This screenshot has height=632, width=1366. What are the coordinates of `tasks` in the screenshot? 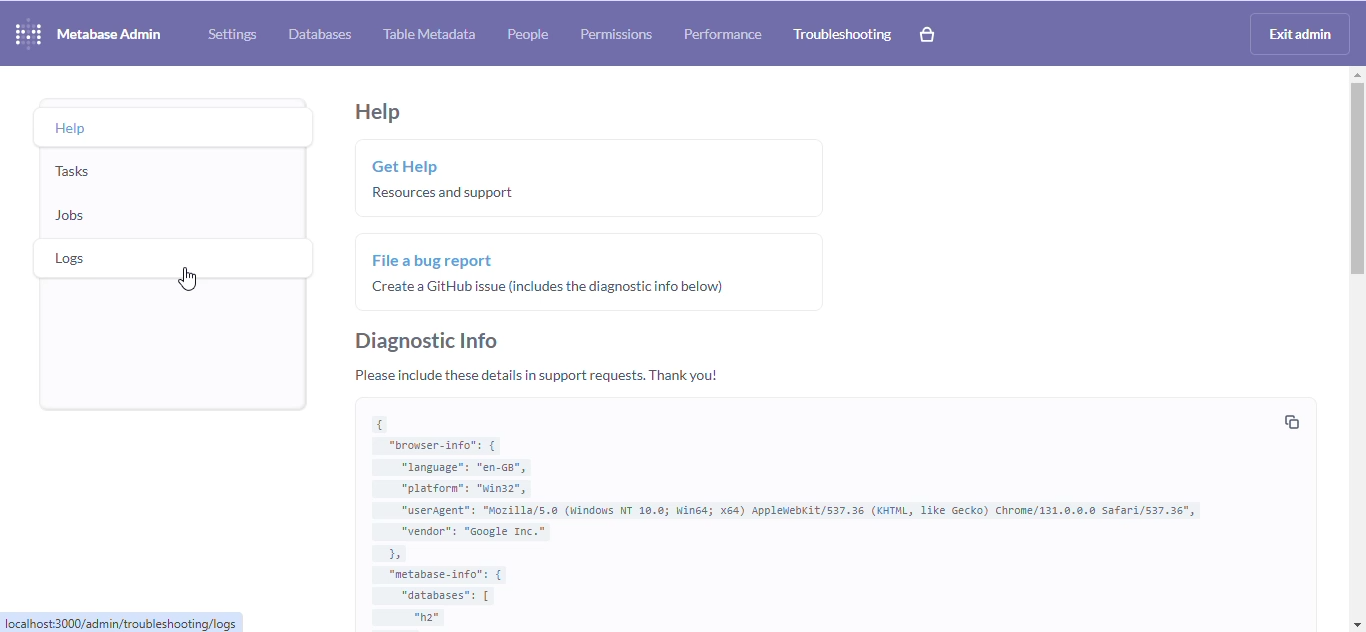 It's located at (73, 170).